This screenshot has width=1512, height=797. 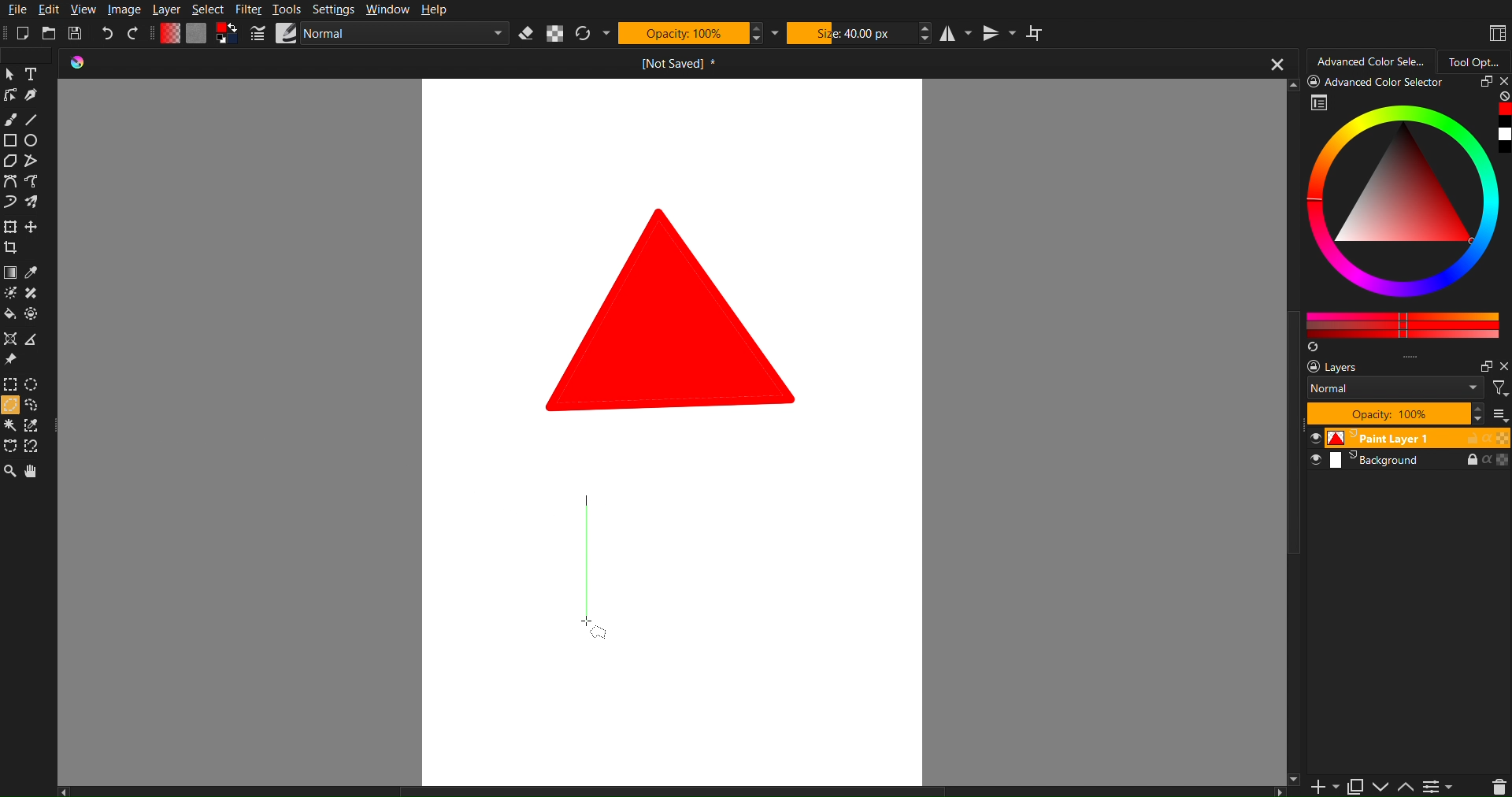 I want to click on tool, so click(x=34, y=294).